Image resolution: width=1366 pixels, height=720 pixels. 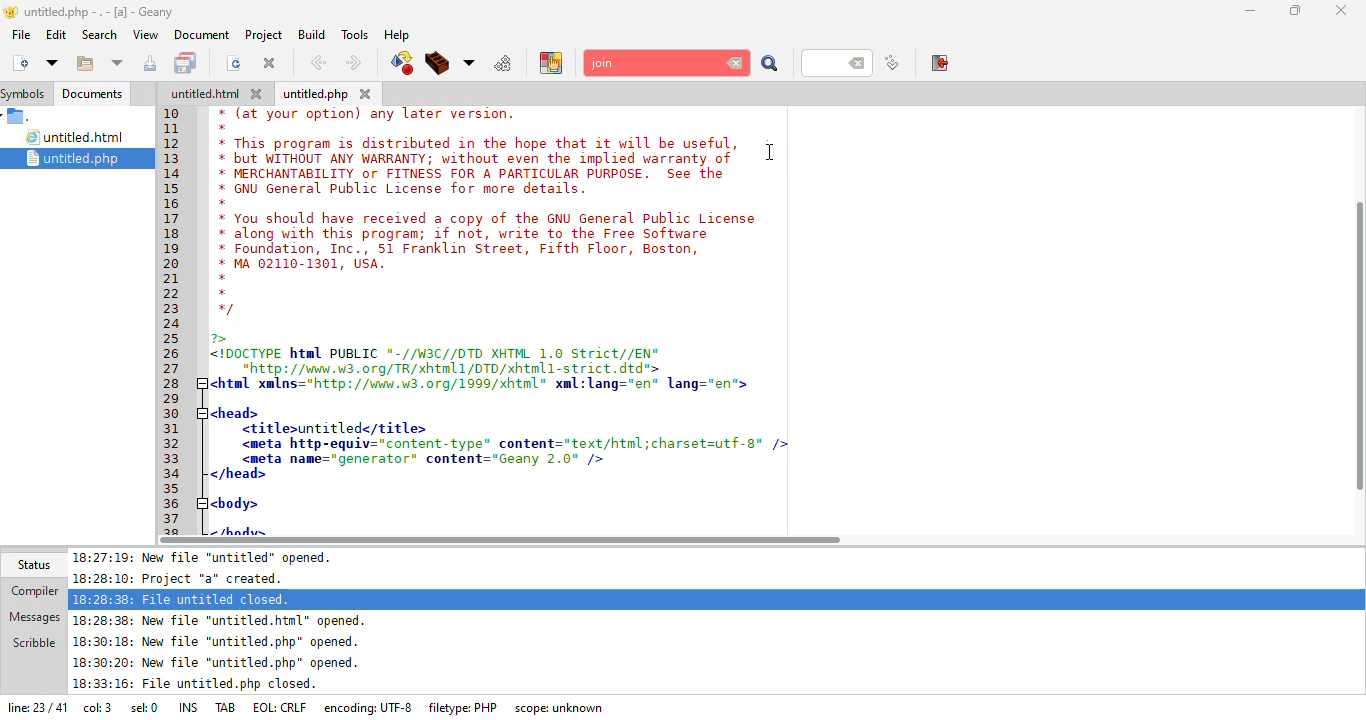 What do you see at coordinates (551, 62) in the screenshot?
I see `choose a color` at bounding box center [551, 62].